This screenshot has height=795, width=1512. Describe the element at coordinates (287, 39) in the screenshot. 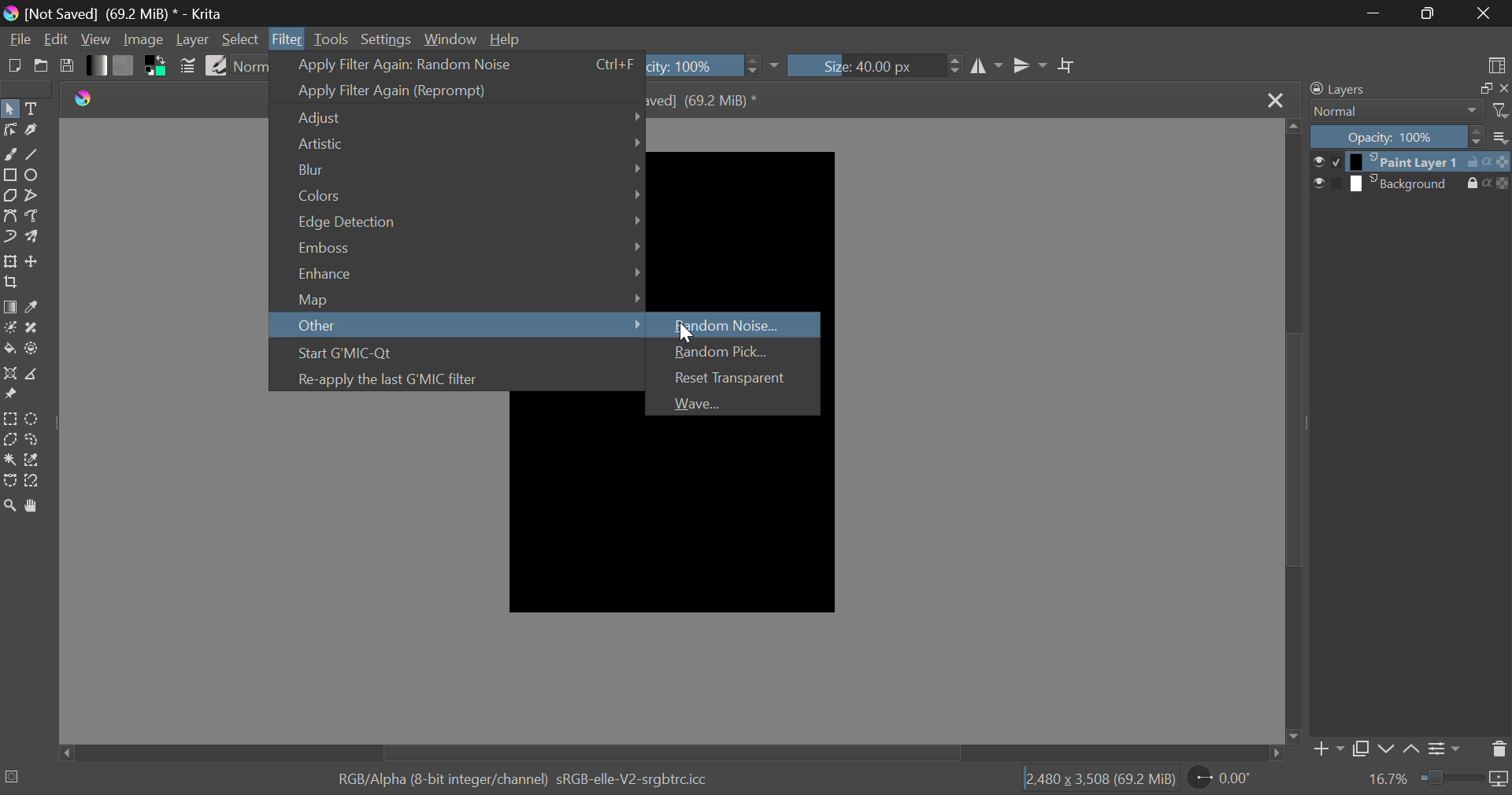

I see `Filter Menu Open` at that location.